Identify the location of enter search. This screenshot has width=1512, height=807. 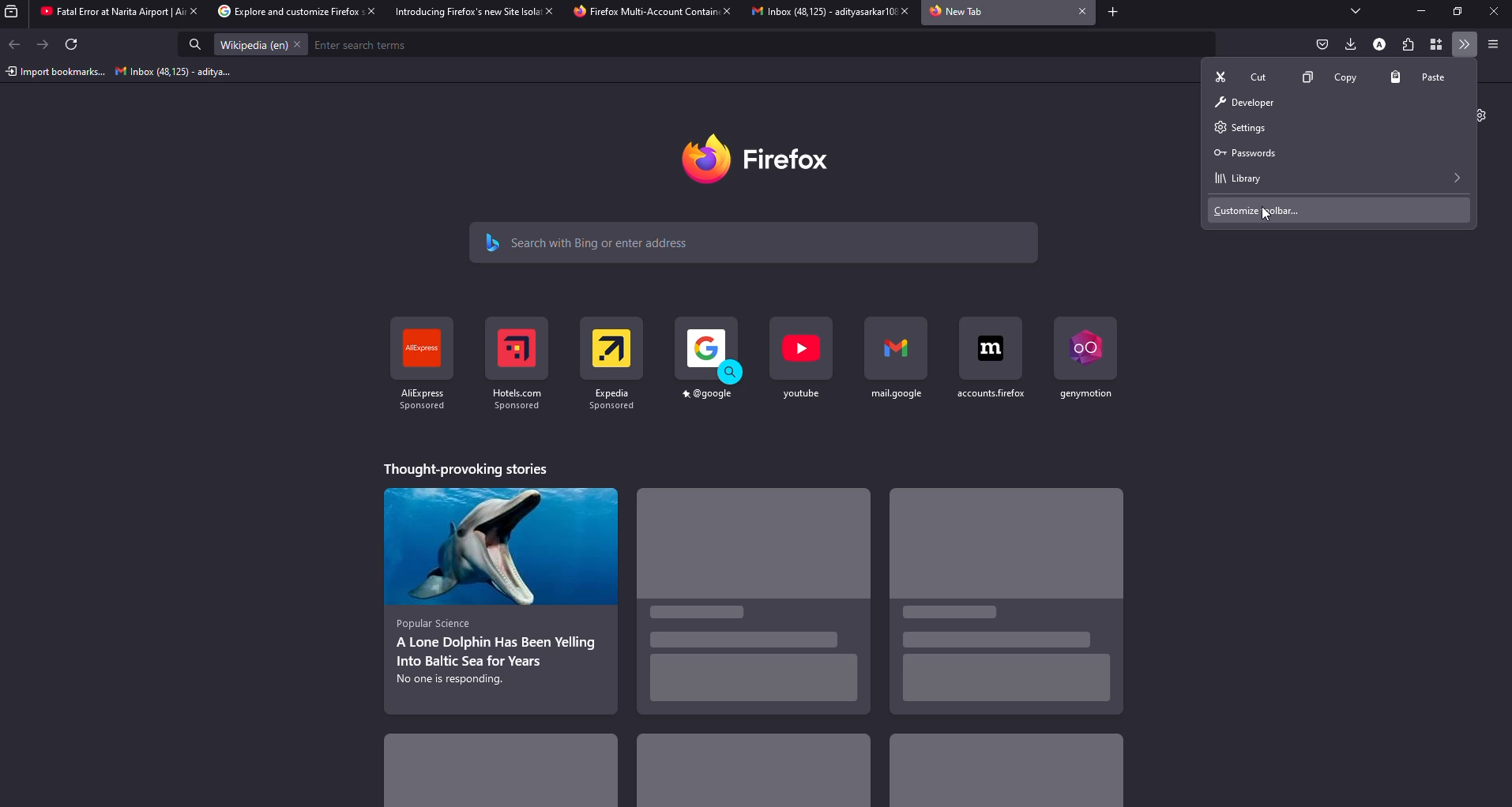
(365, 45).